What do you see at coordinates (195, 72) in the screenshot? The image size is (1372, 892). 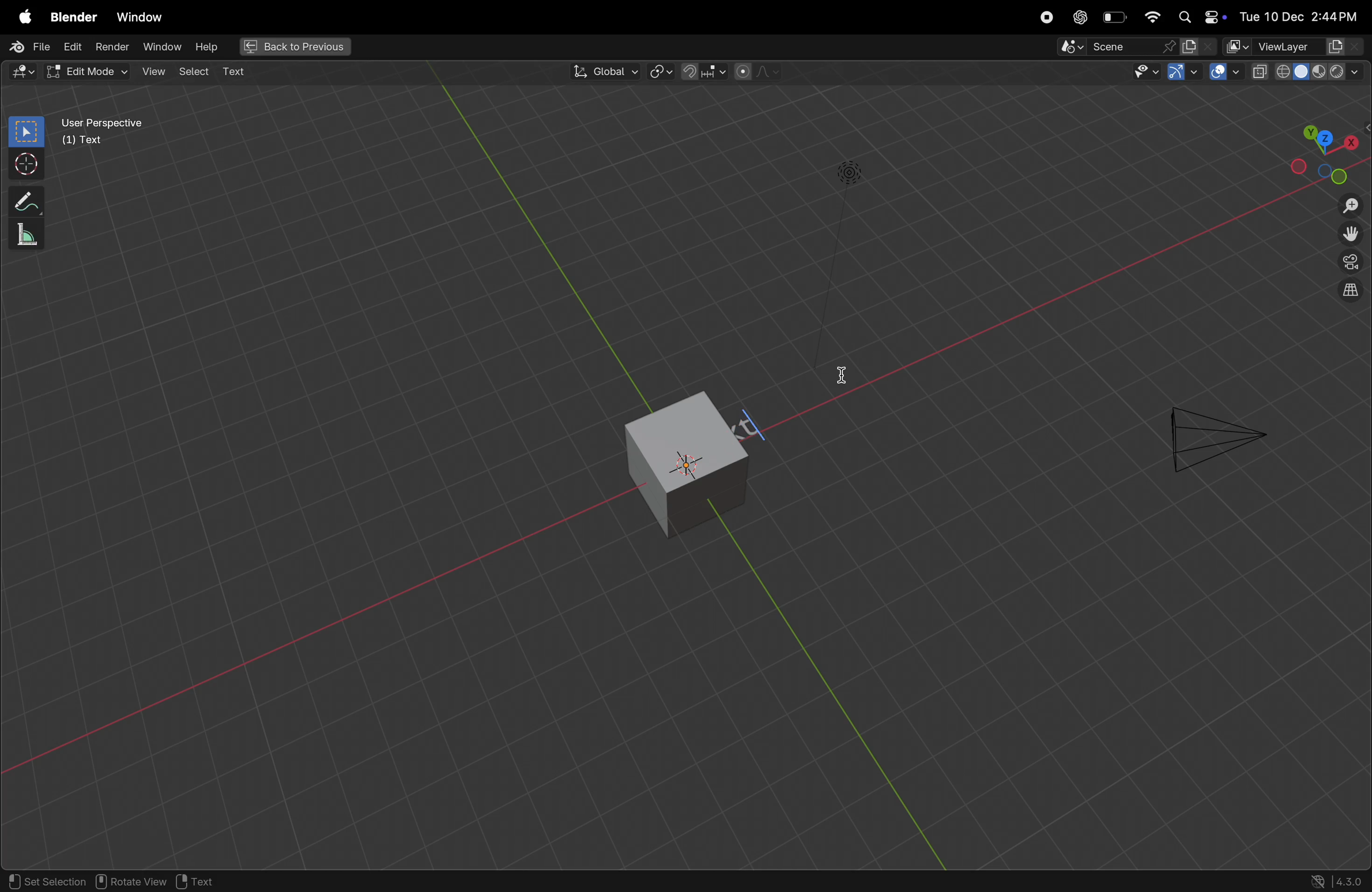 I see `select` at bounding box center [195, 72].